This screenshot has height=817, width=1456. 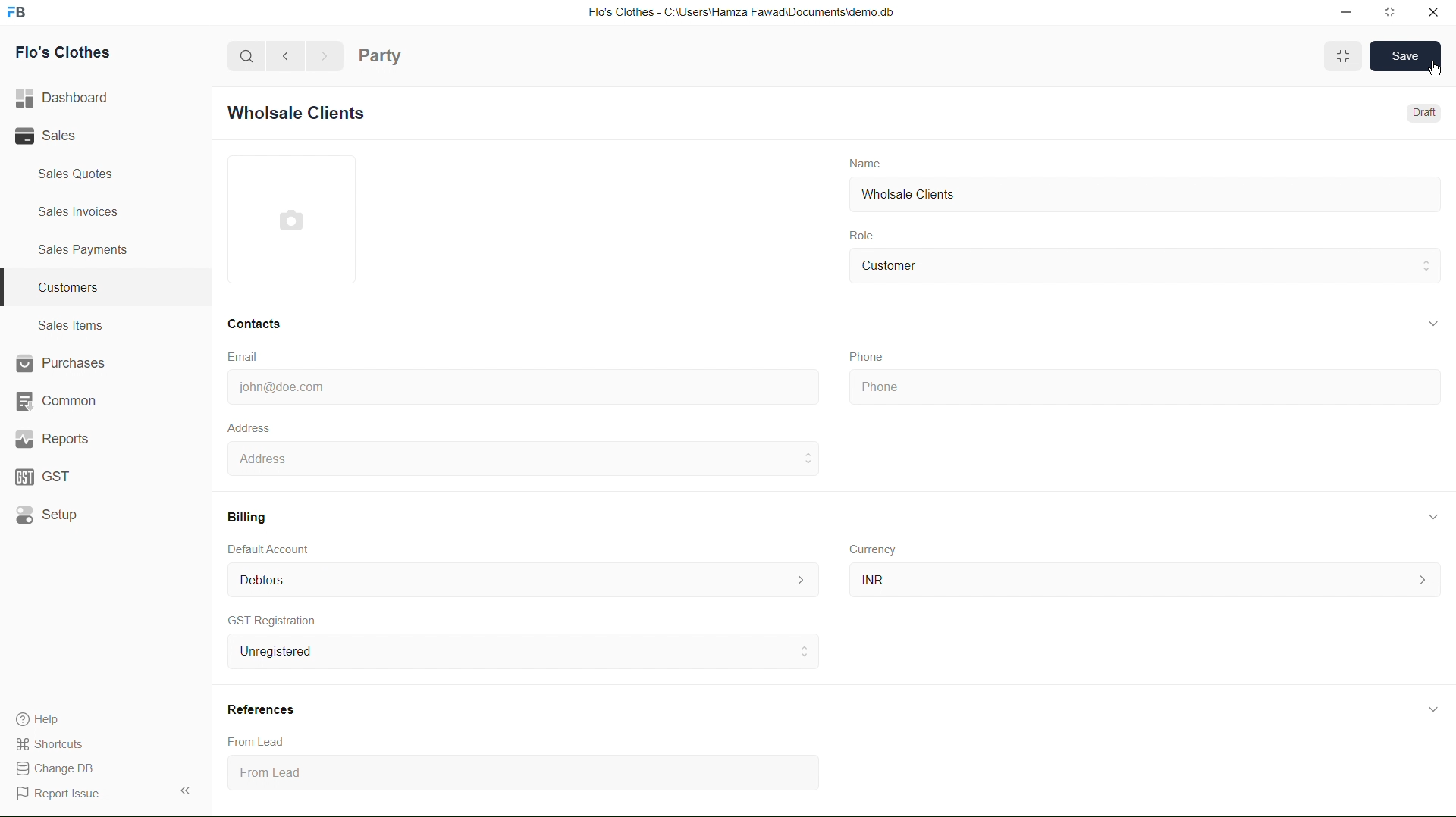 What do you see at coordinates (900, 265) in the screenshot?
I see `Customer` at bounding box center [900, 265].